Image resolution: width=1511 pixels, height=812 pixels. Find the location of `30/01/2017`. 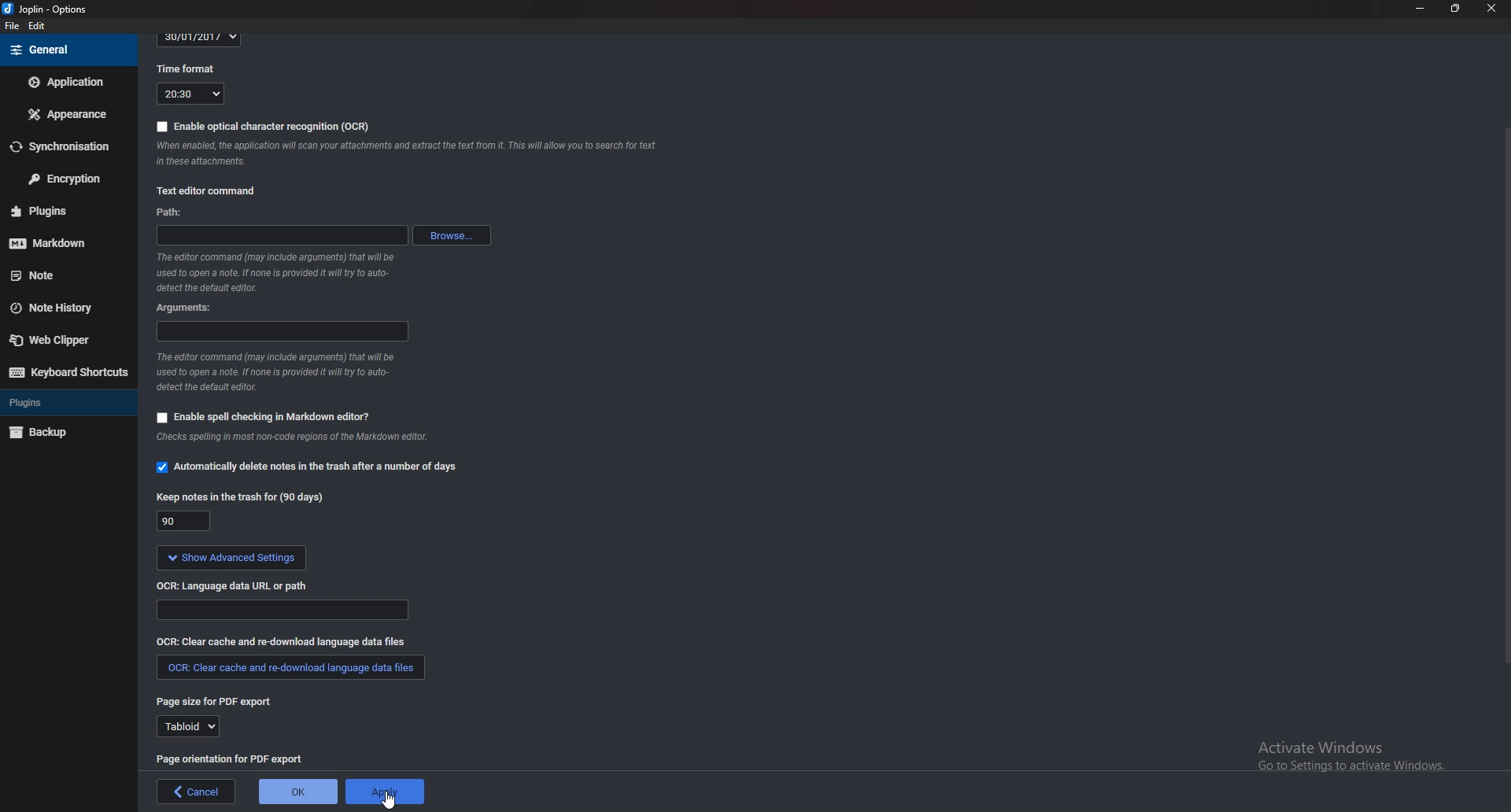

30/01/2017 is located at coordinates (200, 39).